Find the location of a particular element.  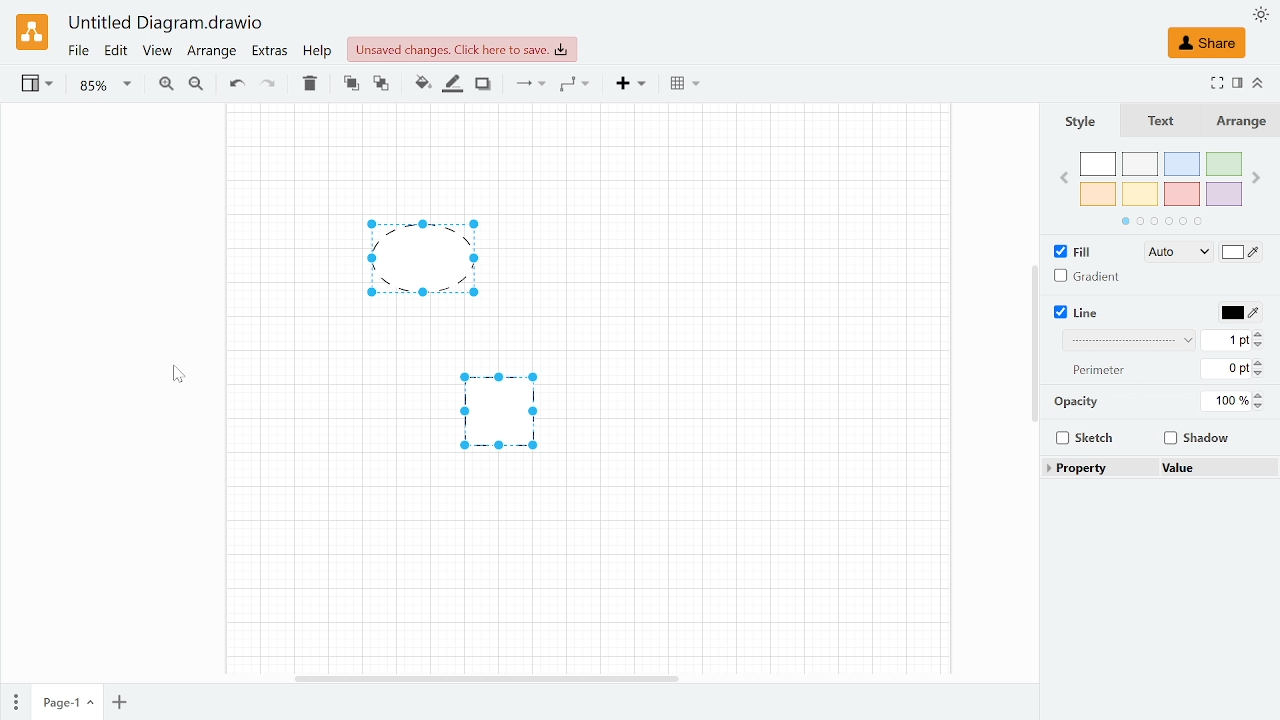

Draw.io logo is located at coordinates (32, 32).